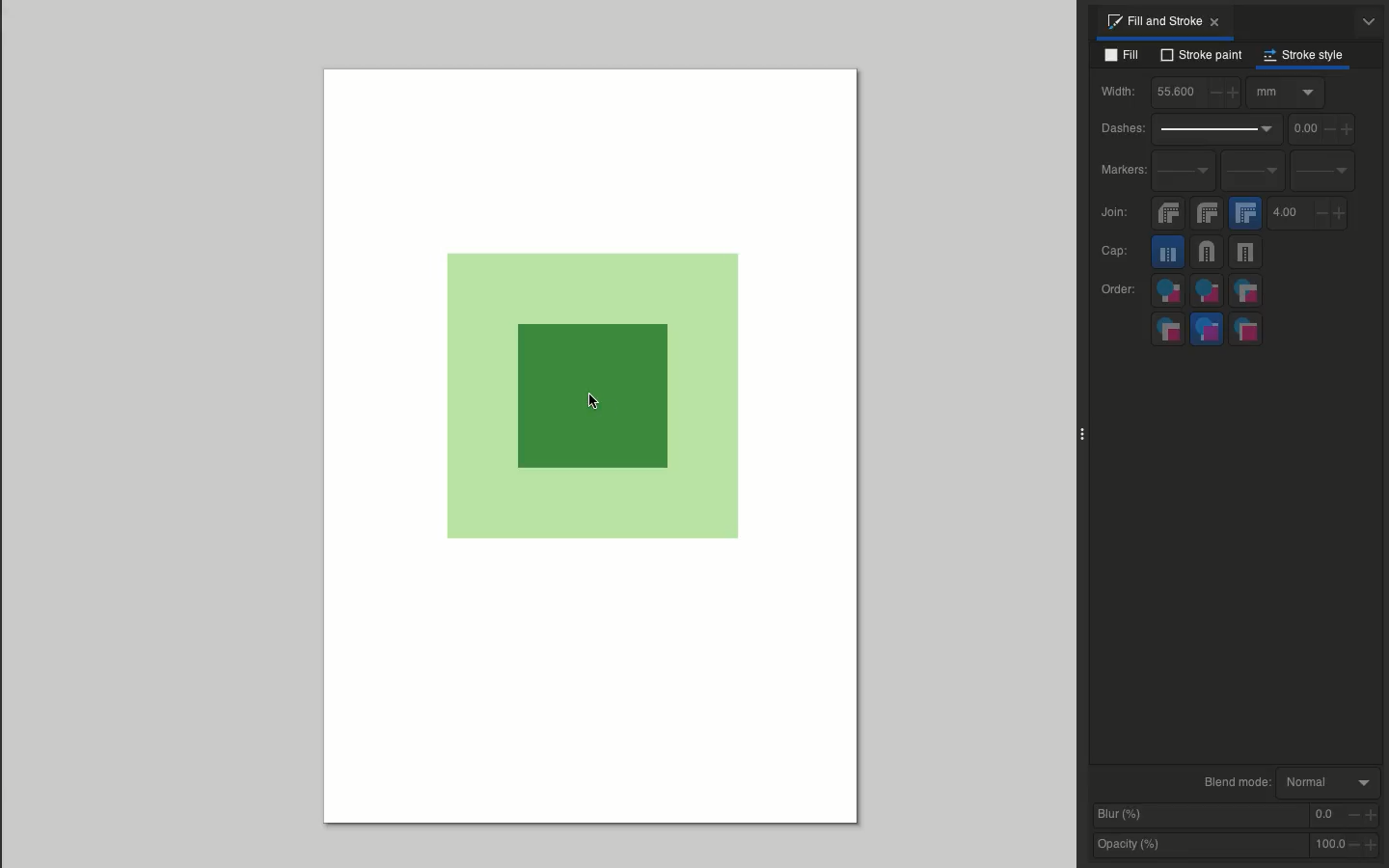 This screenshot has height=868, width=1389. I want to click on Fill, markers, stroke, so click(1246, 292).